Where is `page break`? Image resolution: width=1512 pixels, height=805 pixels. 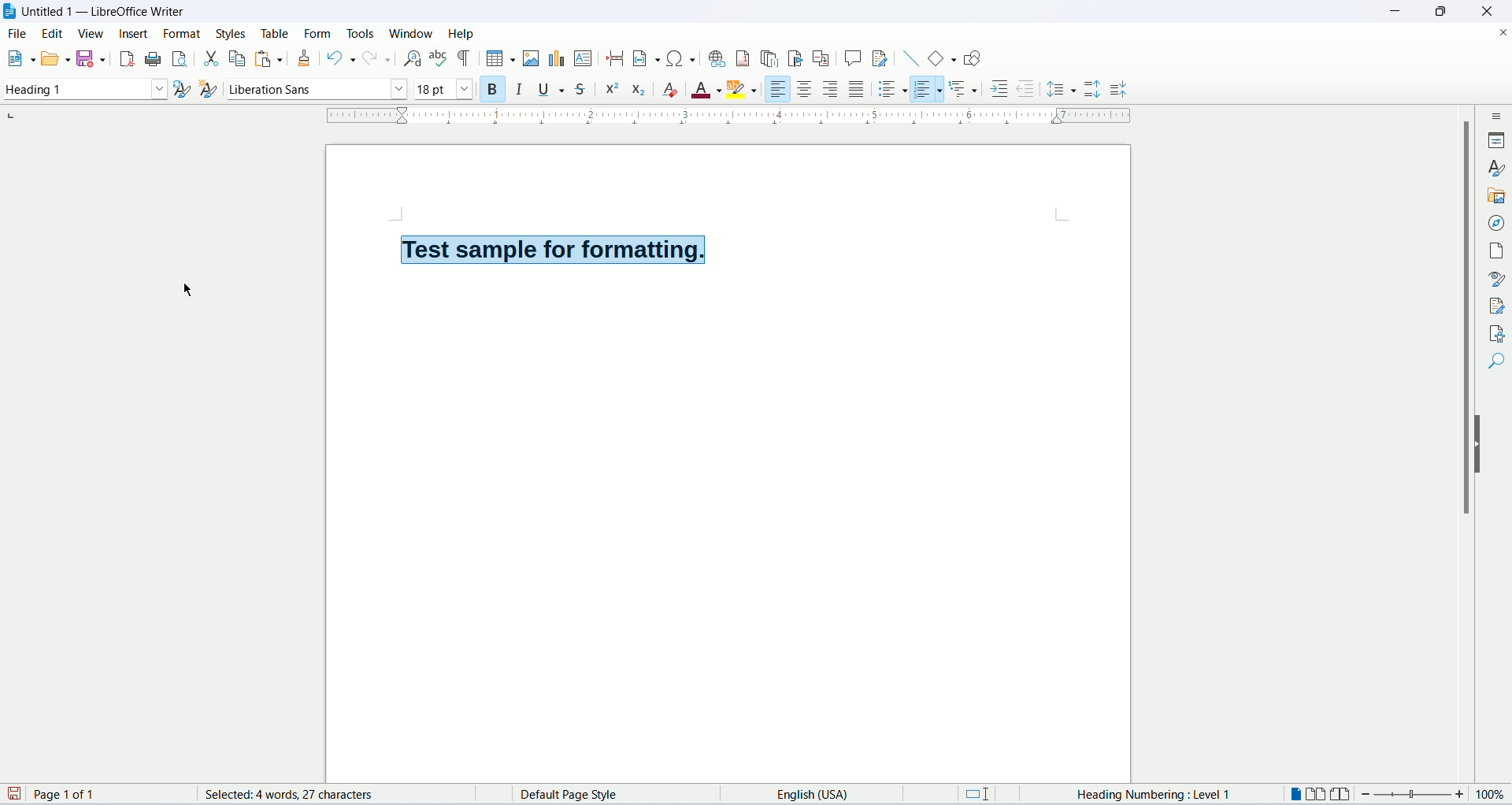
page break is located at coordinates (615, 59).